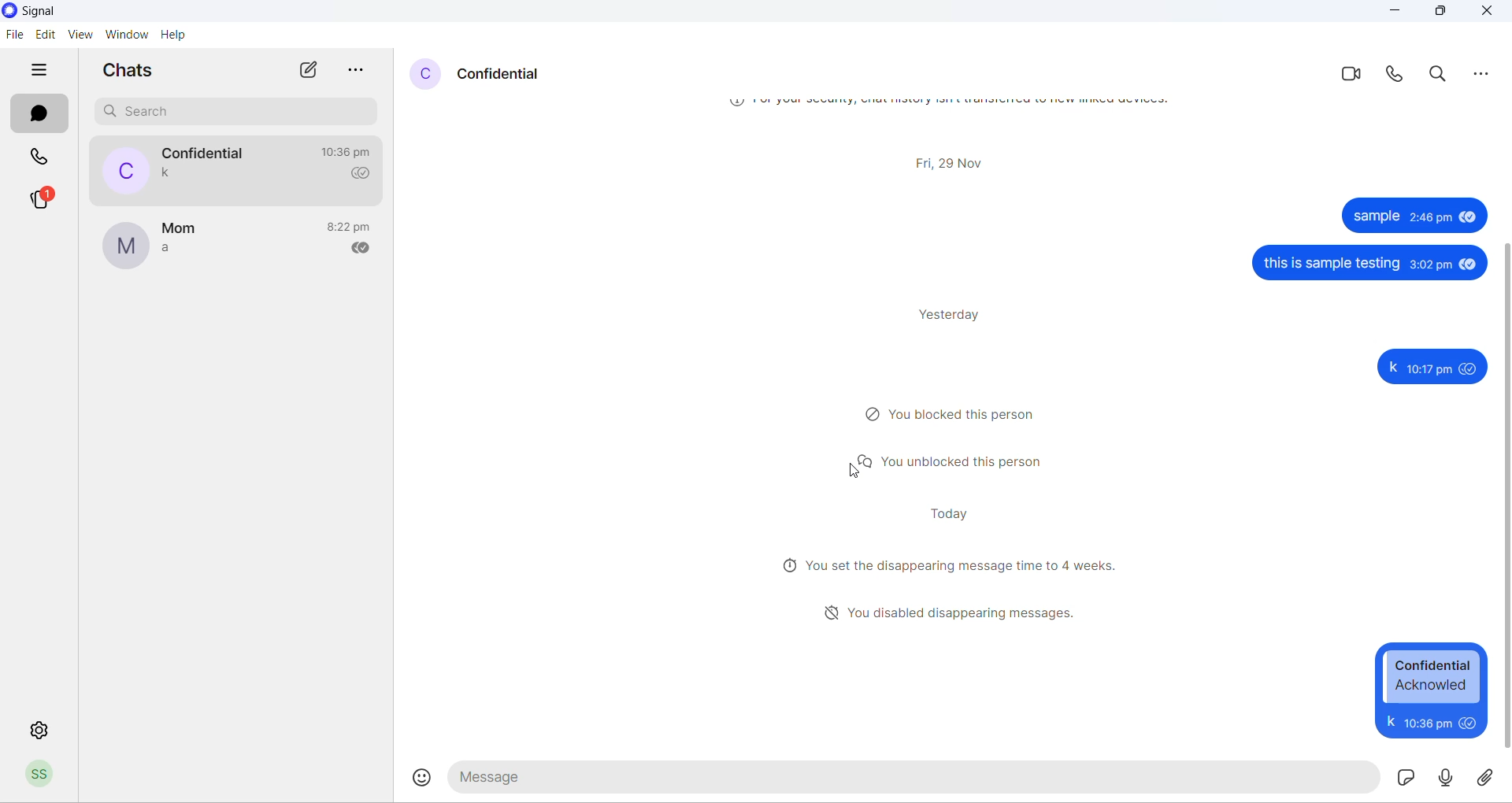  Describe the element at coordinates (953, 316) in the screenshot. I see `yesterday ` at that location.